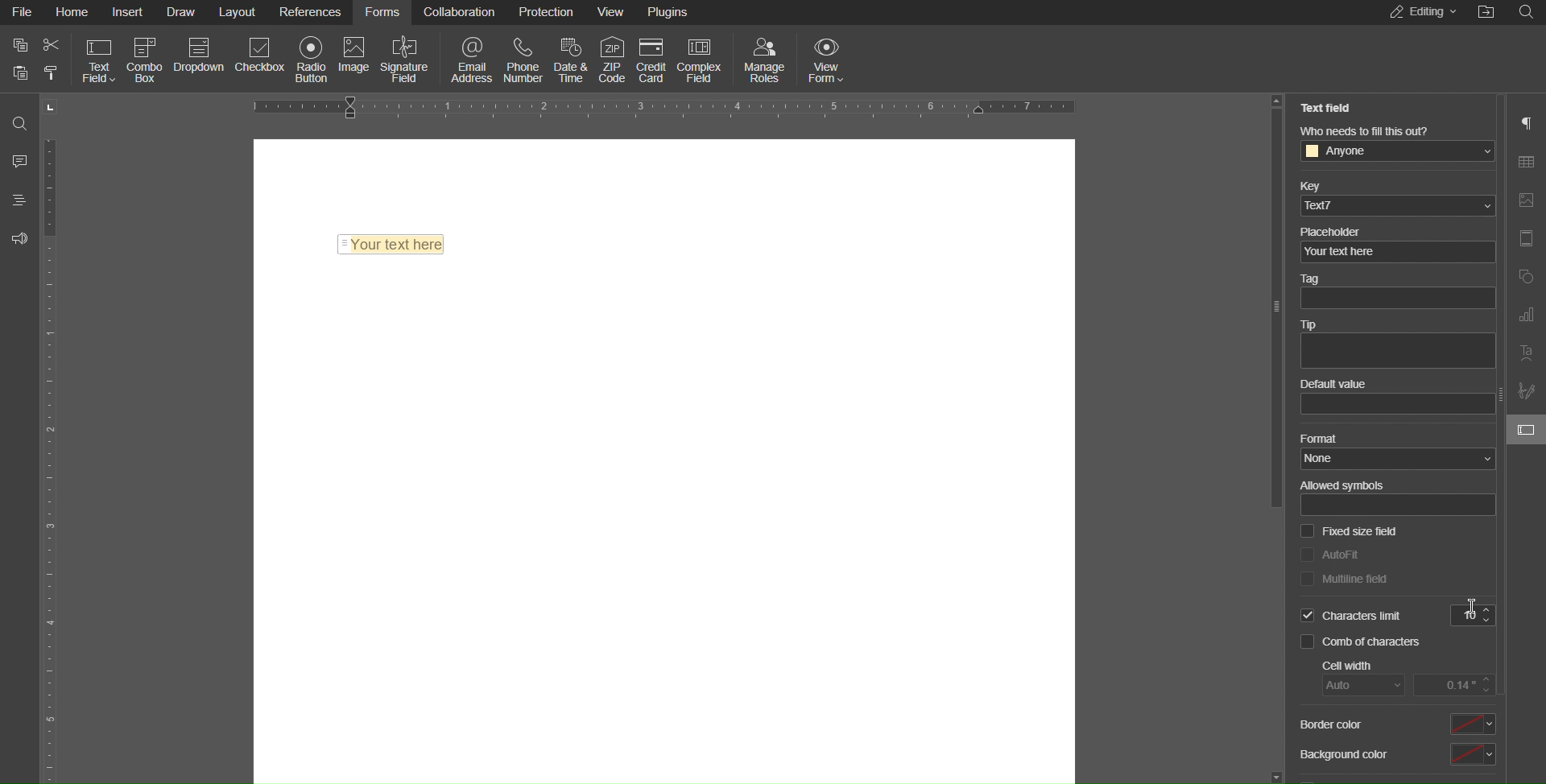 The width and height of the screenshot is (1546, 784). What do you see at coordinates (1396, 345) in the screenshot?
I see `Tip` at bounding box center [1396, 345].